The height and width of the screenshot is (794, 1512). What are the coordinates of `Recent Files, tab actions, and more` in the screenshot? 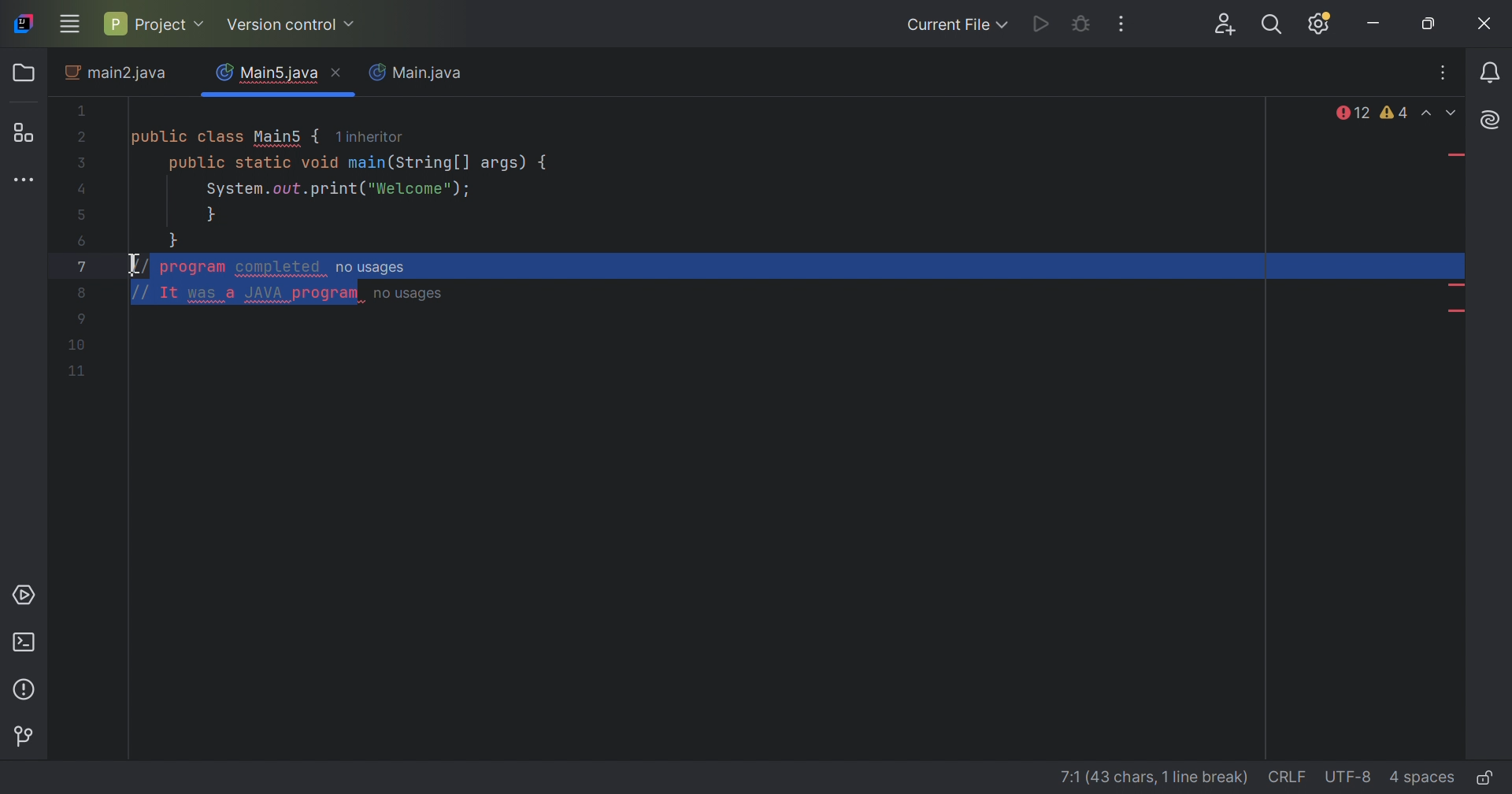 It's located at (1445, 72).